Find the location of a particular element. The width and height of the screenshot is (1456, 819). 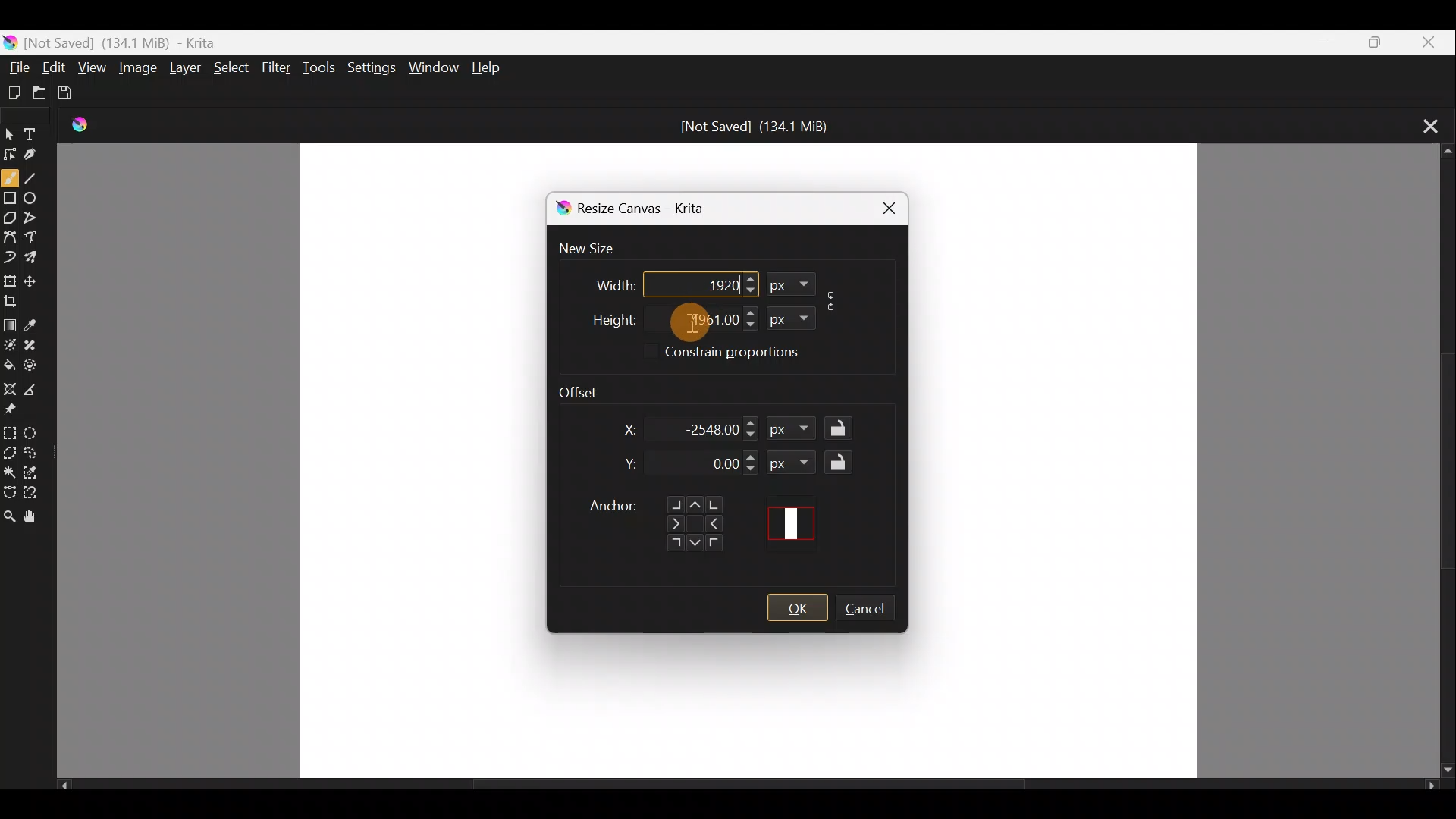

Rectangular selection tool is located at coordinates (12, 432).